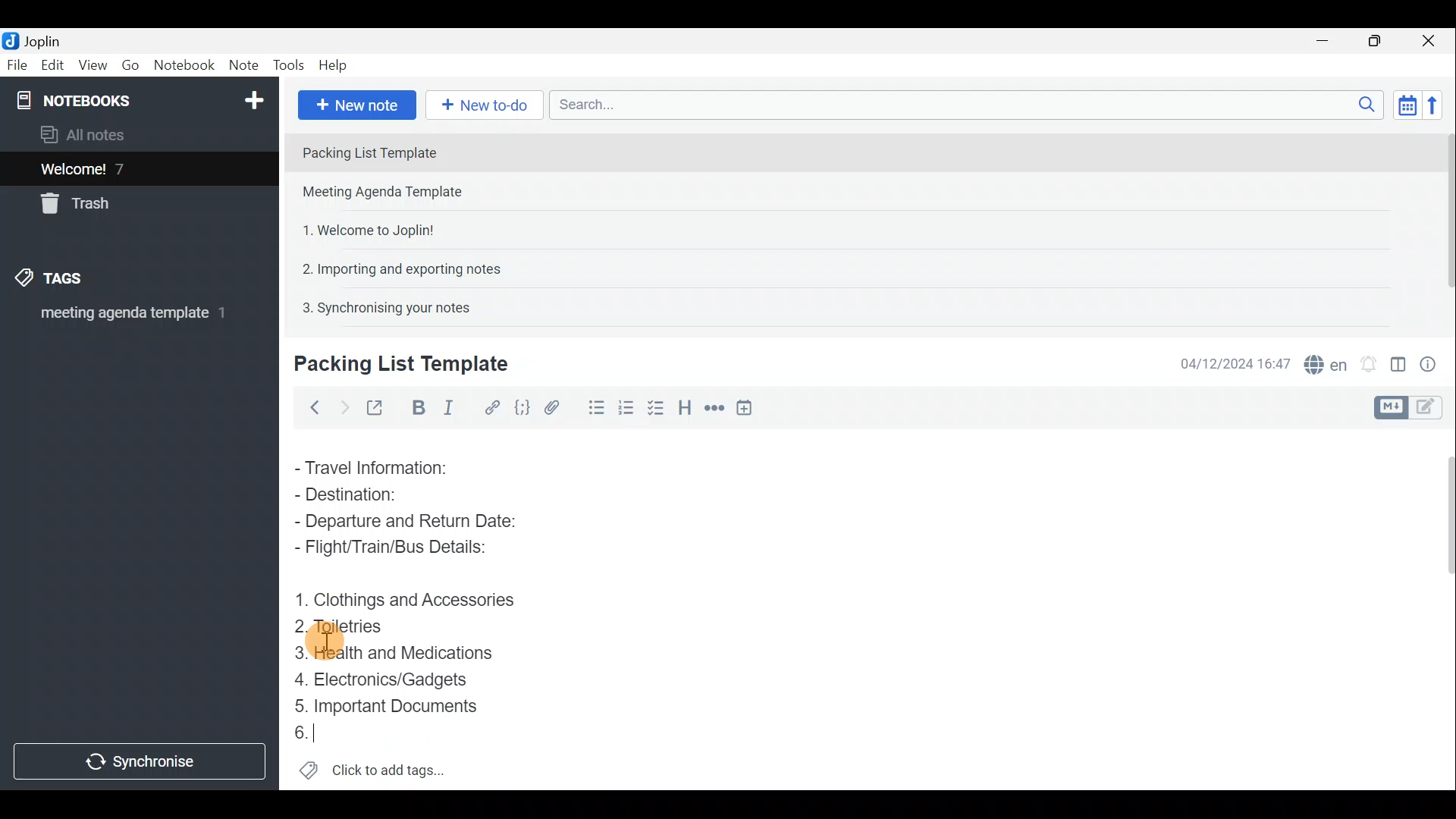 The height and width of the screenshot is (819, 1456). Describe the element at coordinates (1393, 406) in the screenshot. I see `Toggle editors` at that location.